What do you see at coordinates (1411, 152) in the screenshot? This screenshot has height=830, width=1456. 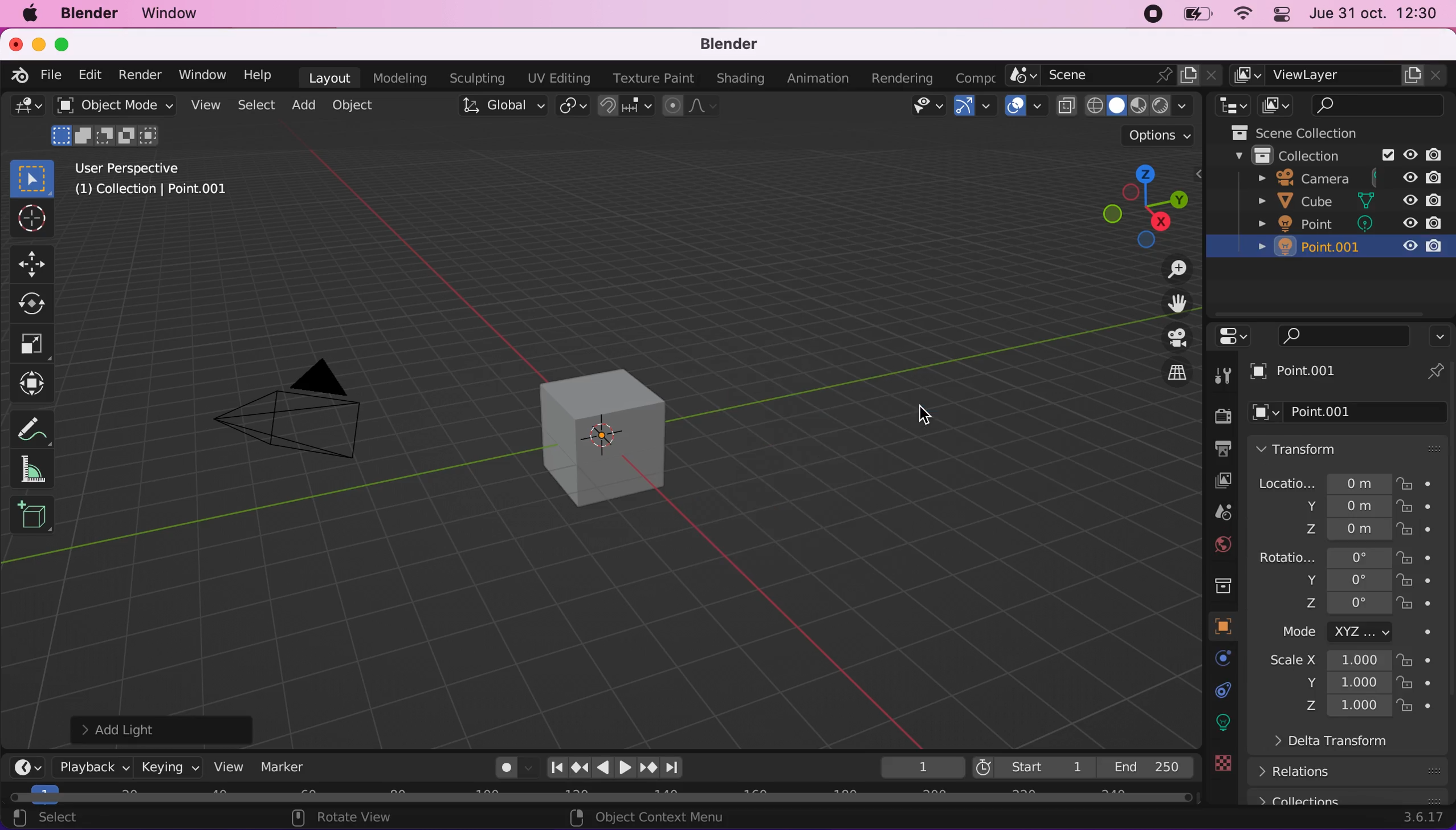 I see `hide in viewpoint` at bounding box center [1411, 152].